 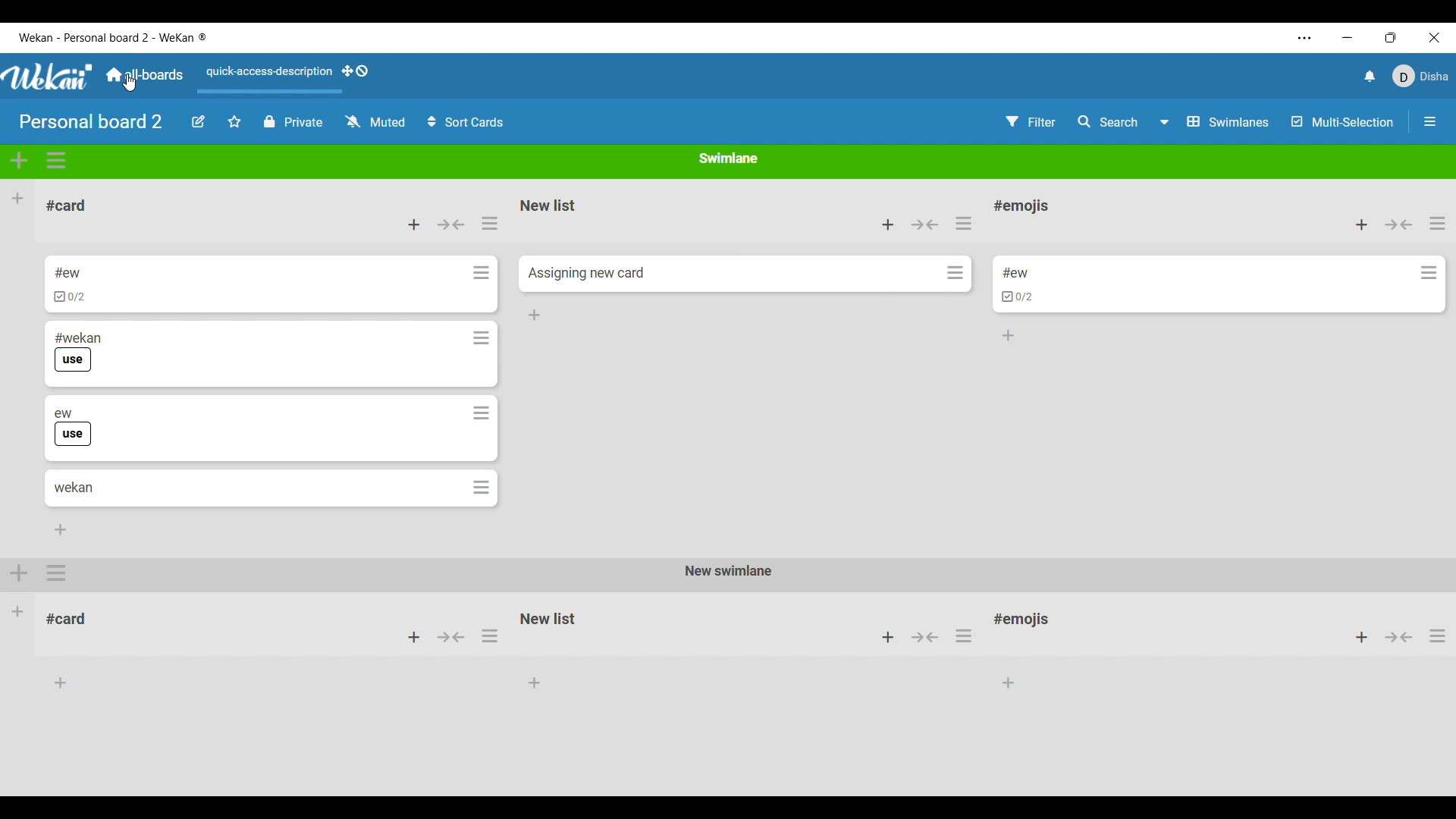 What do you see at coordinates (569, 621) in the screenshot?
I see `card title` at bounding box center [569, 621].